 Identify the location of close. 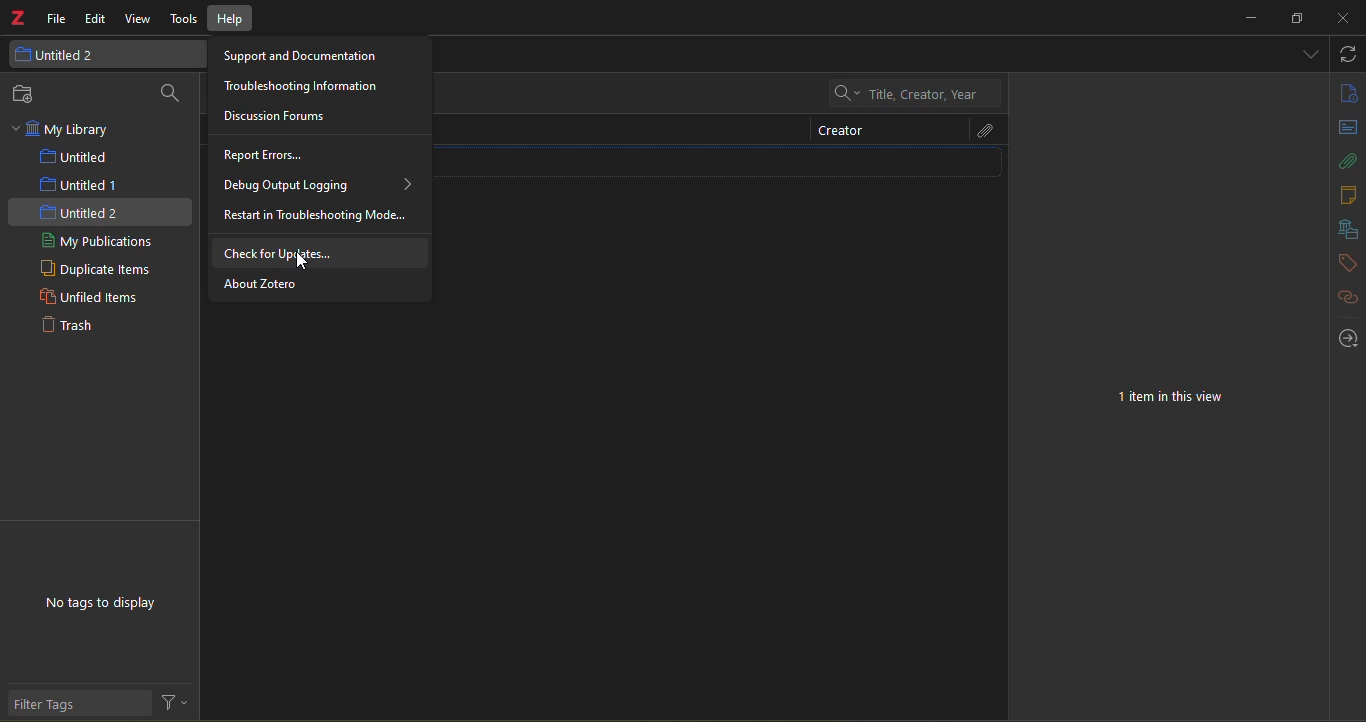
(1341, 18).